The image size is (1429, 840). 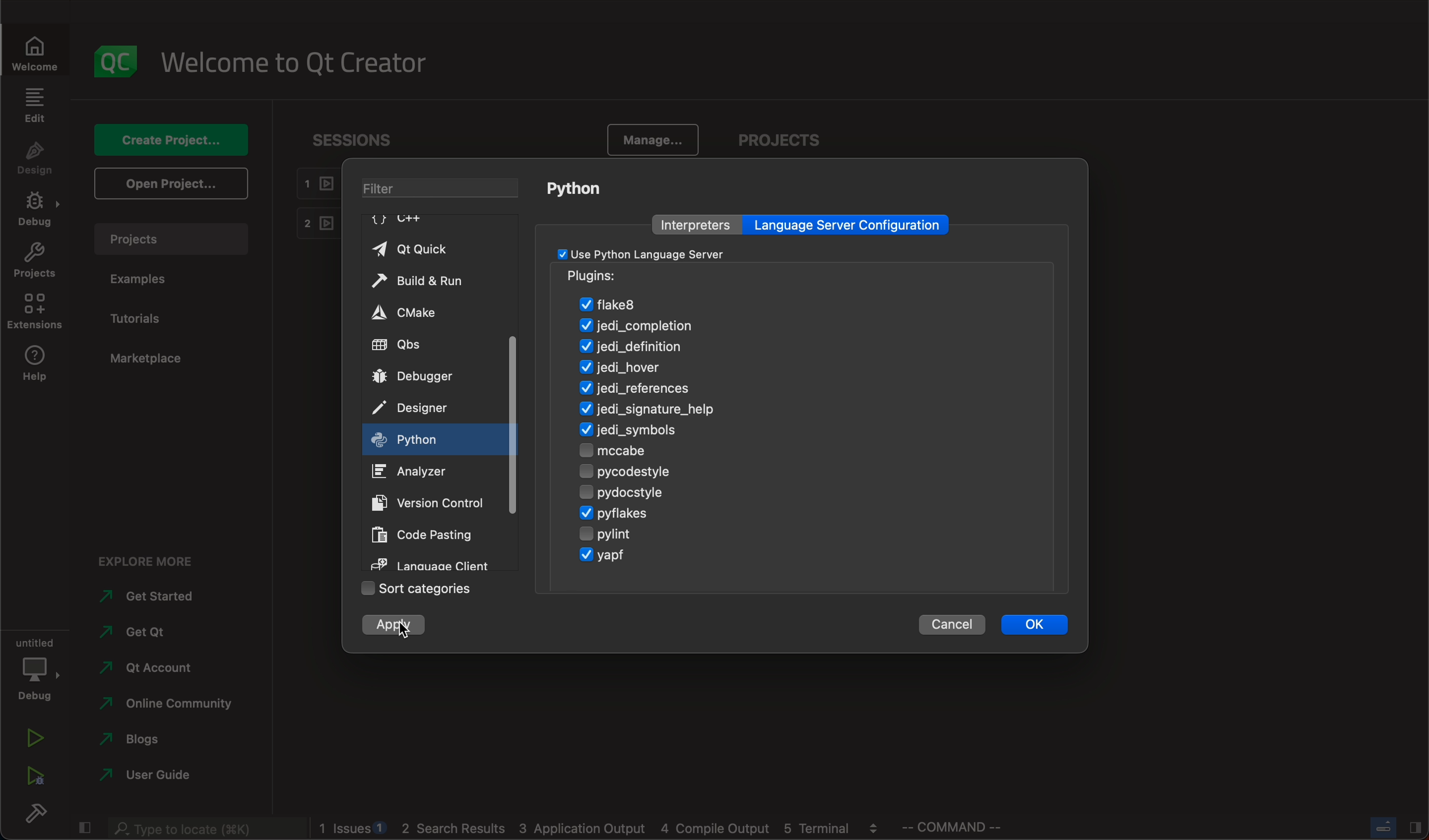 I want to click on blogs, so click(x=141, y=738).